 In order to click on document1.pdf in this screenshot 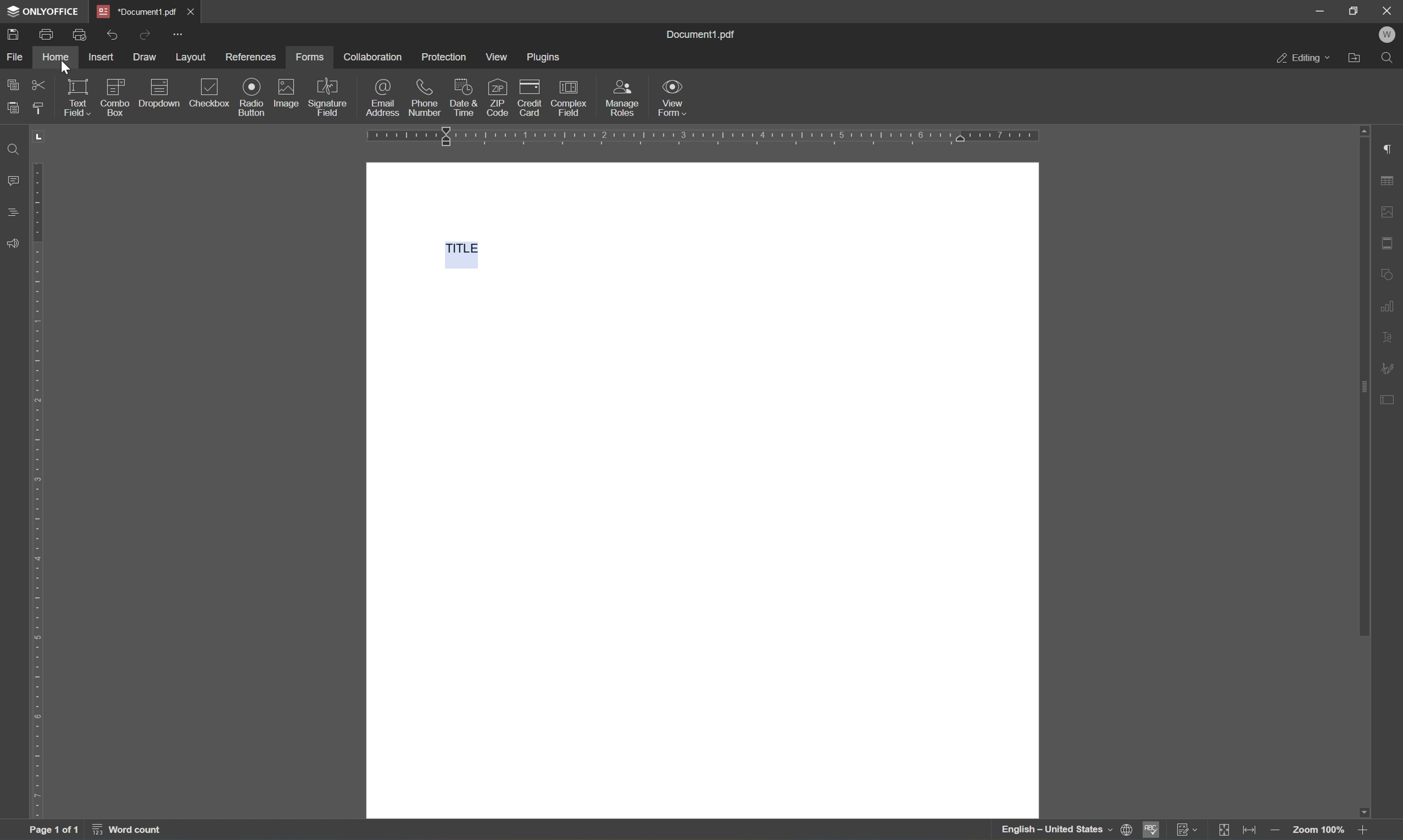, I will do `click(135, 12)`.